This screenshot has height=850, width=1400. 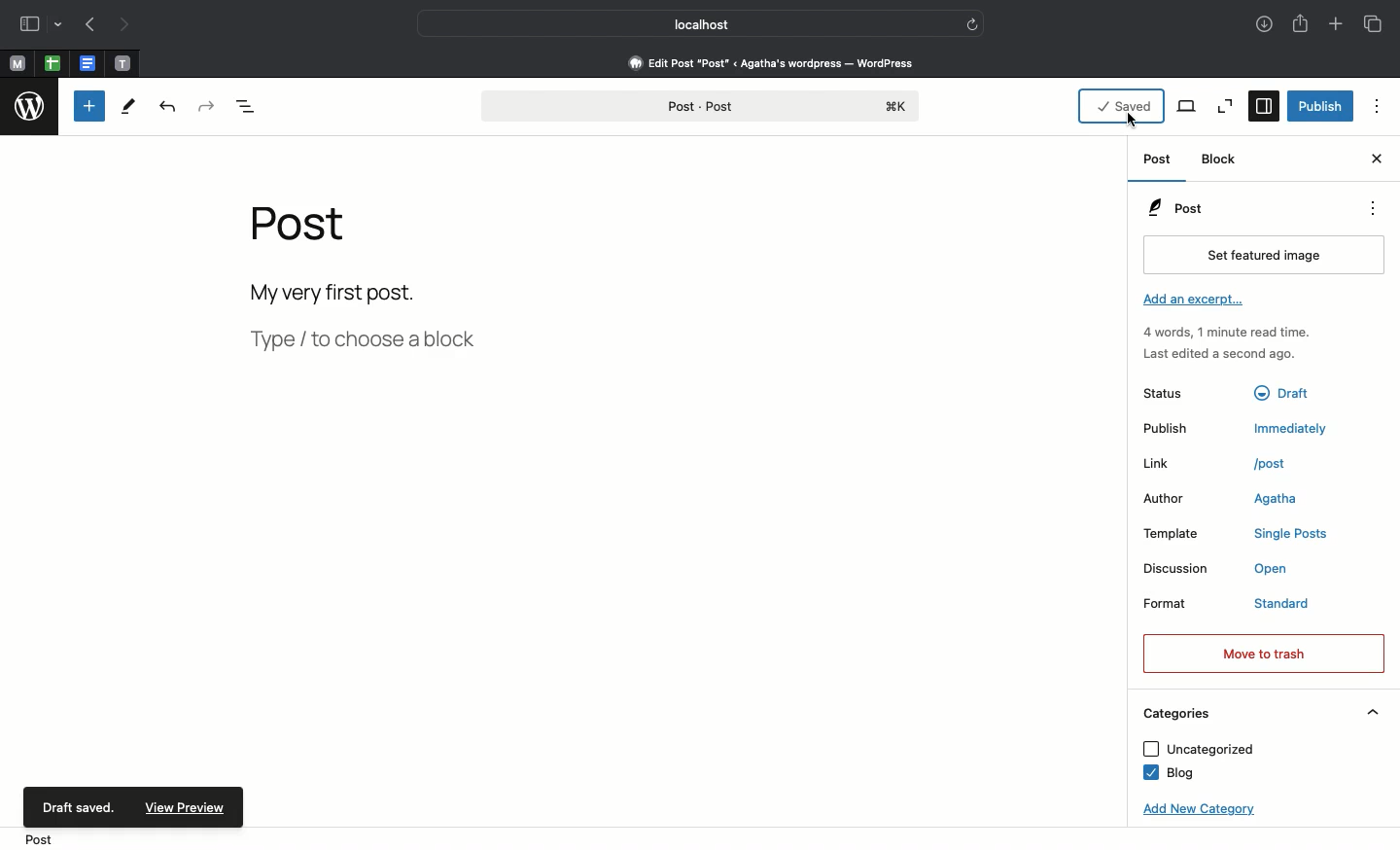 What do you see at coordinates (52, 63) in the screenshot?
I see `spread sheet` at bounding box center [52, 63].